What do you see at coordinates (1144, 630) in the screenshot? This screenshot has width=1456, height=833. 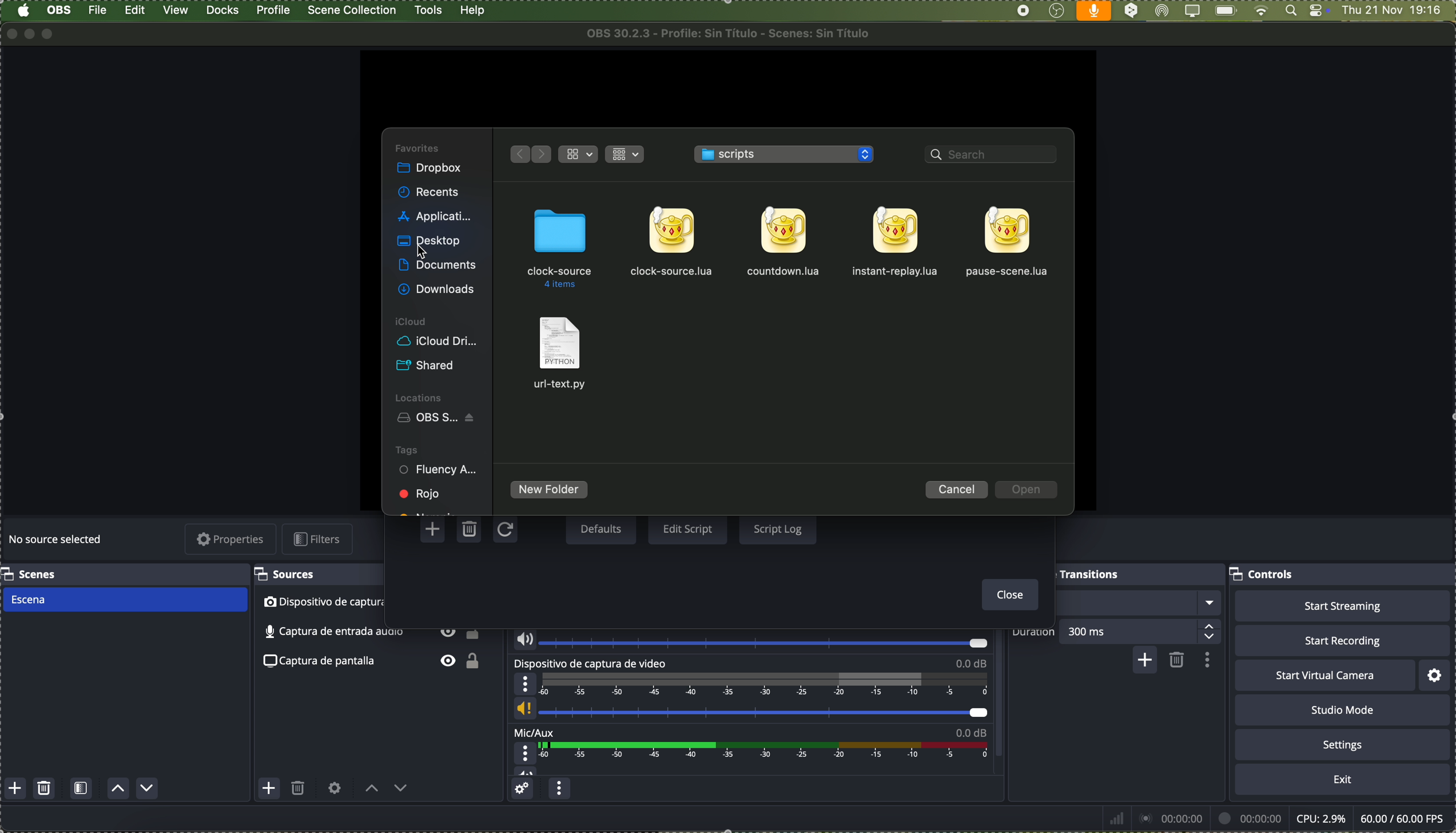 I see `300 ms` at bounding box center [1144, 630].